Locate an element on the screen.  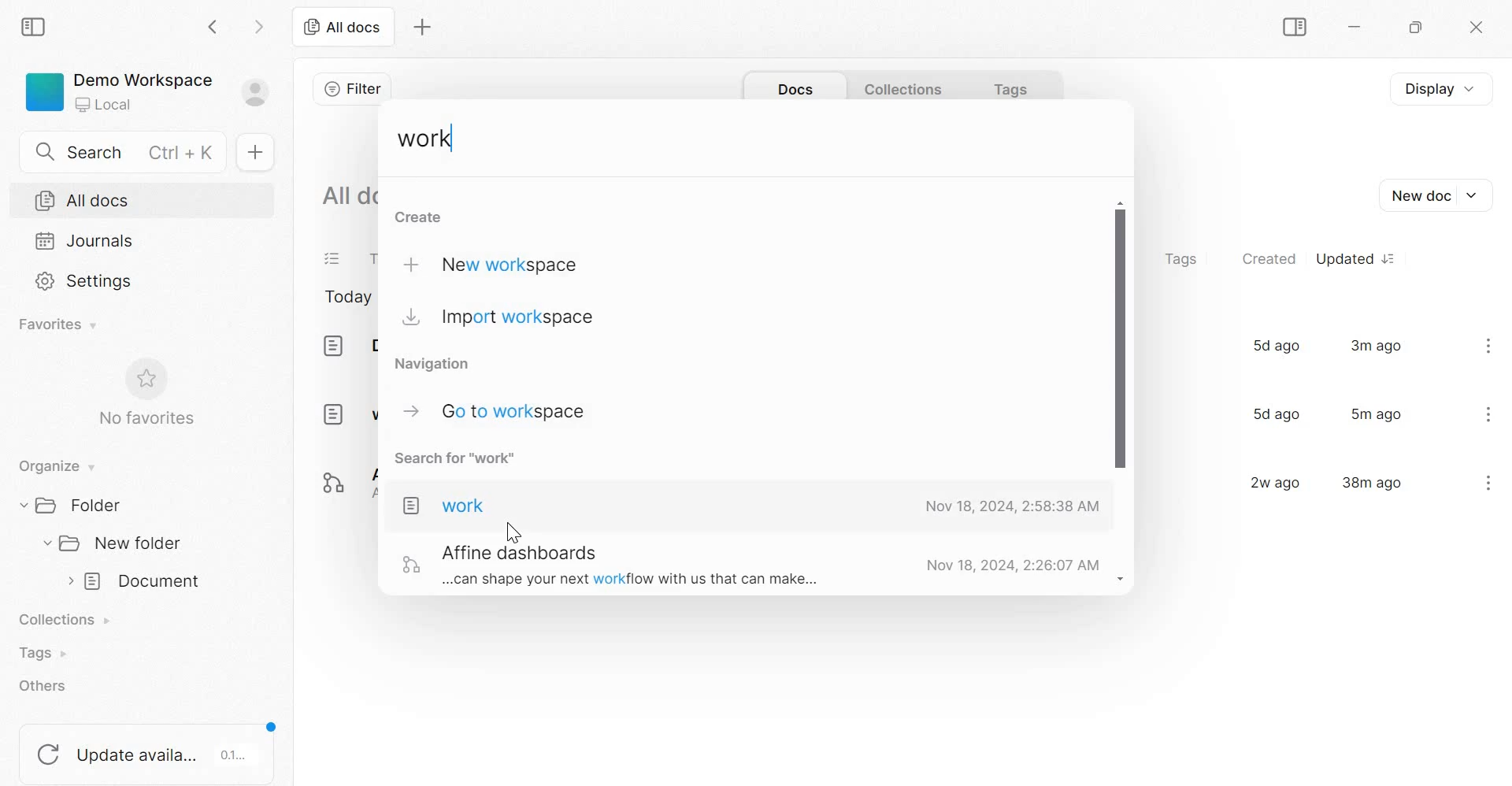
Demo workspace is located at coordinates (148, 95).